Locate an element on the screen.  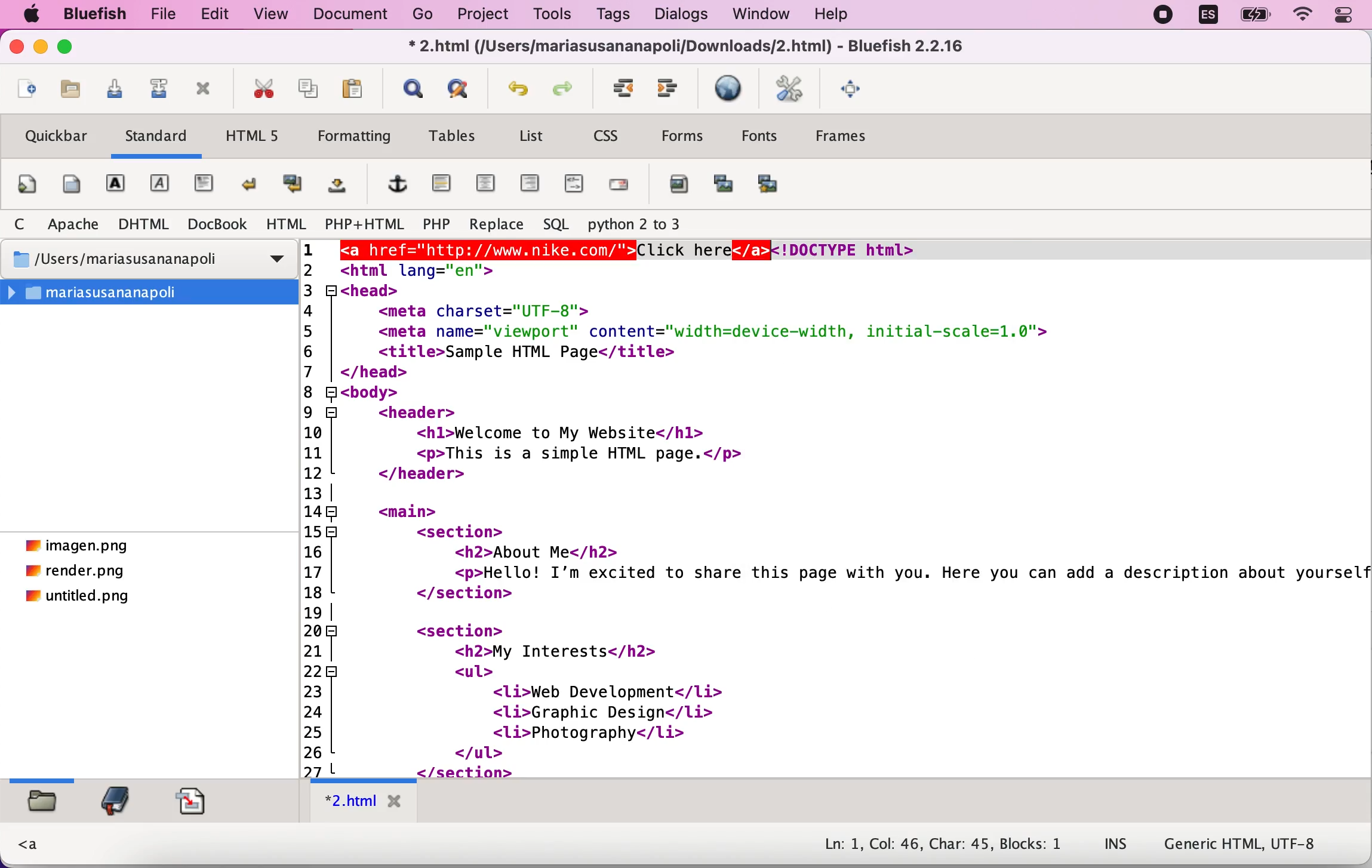
insert thumbnail is located at coordinates (722, 189).